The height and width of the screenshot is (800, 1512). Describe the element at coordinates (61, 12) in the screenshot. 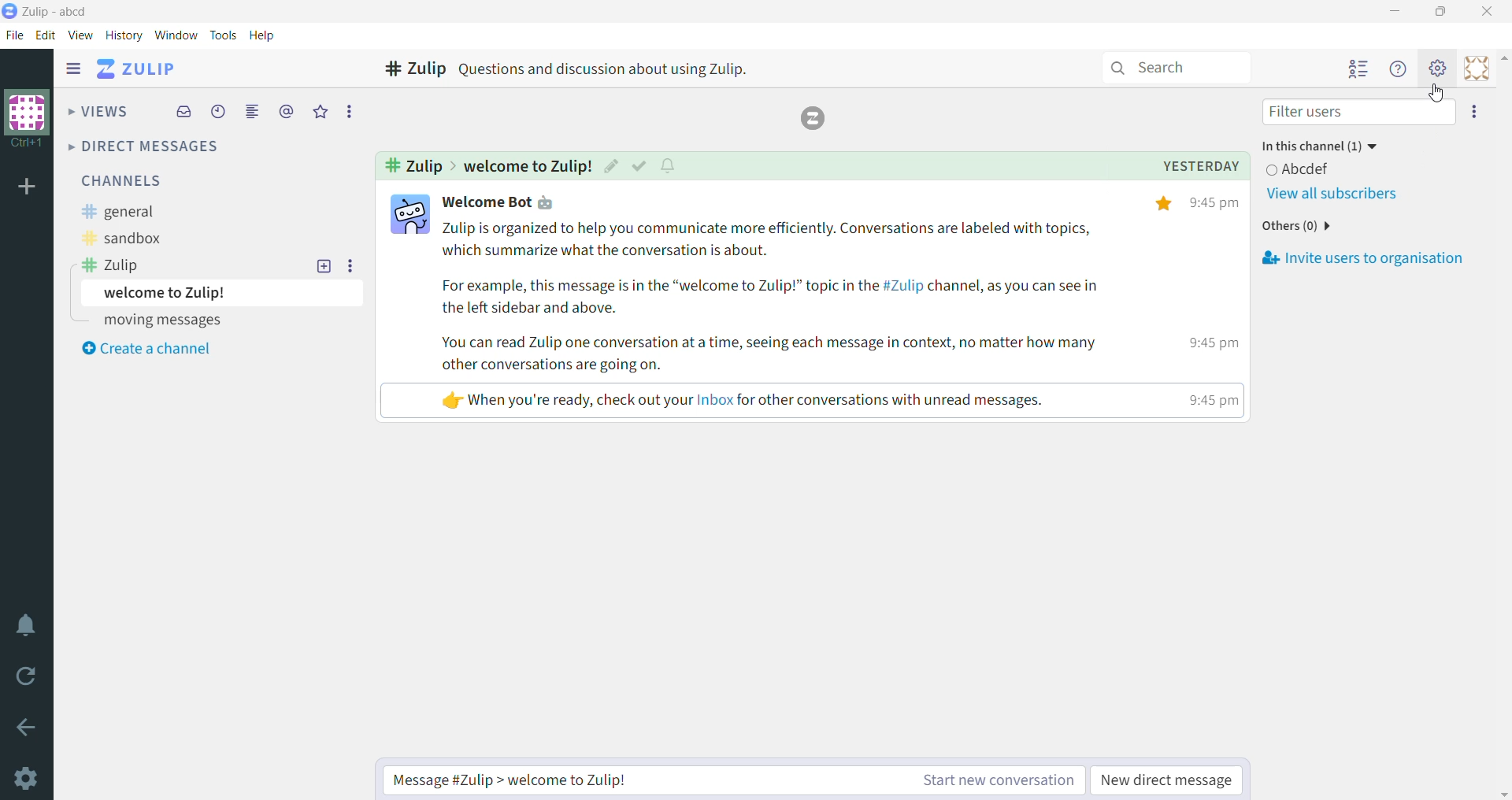

I see `Application Name - Organization Name` at that location.